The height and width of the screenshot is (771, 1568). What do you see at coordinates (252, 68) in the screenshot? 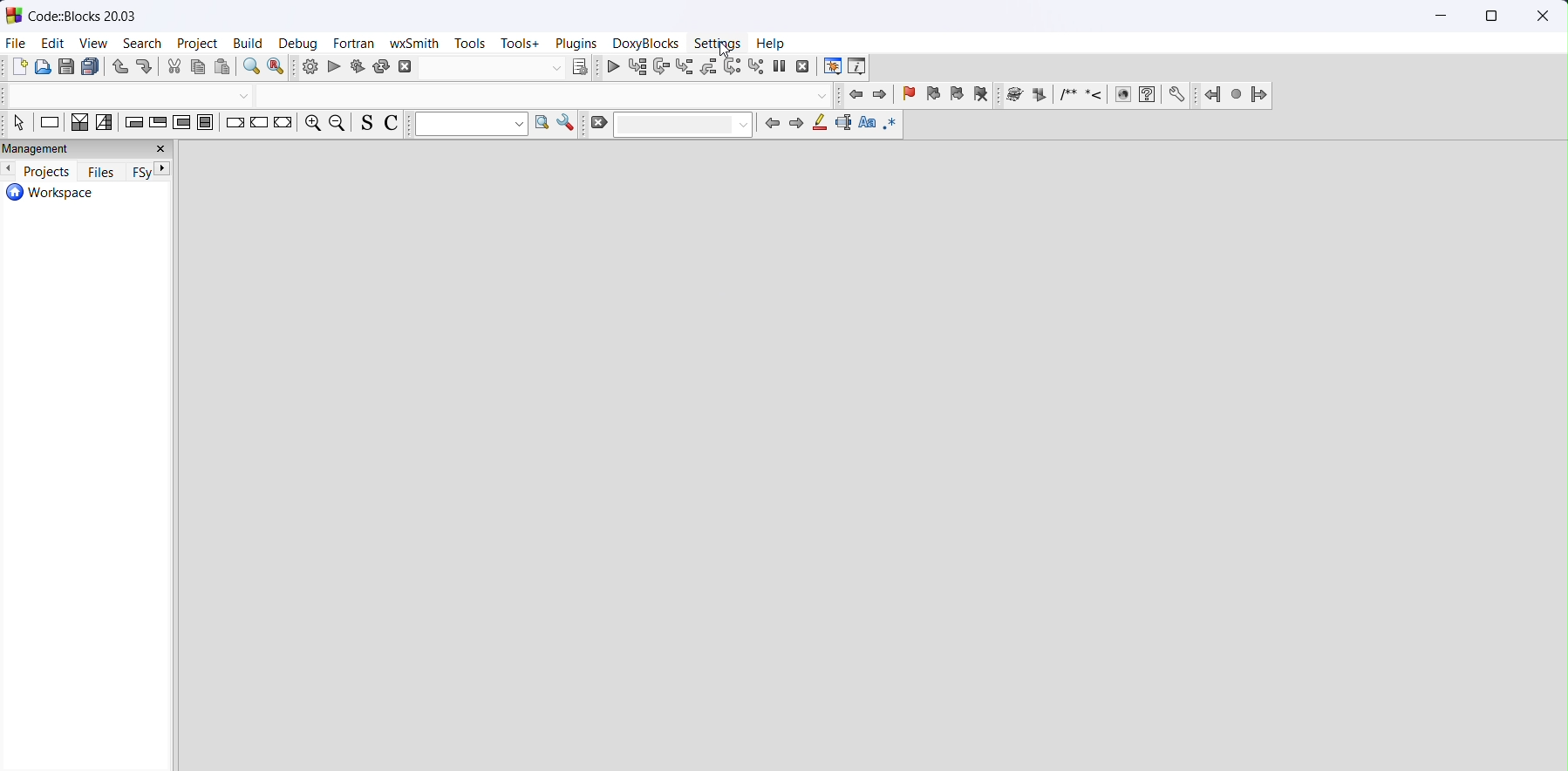
I see `find` at bounding box center [252, 68].